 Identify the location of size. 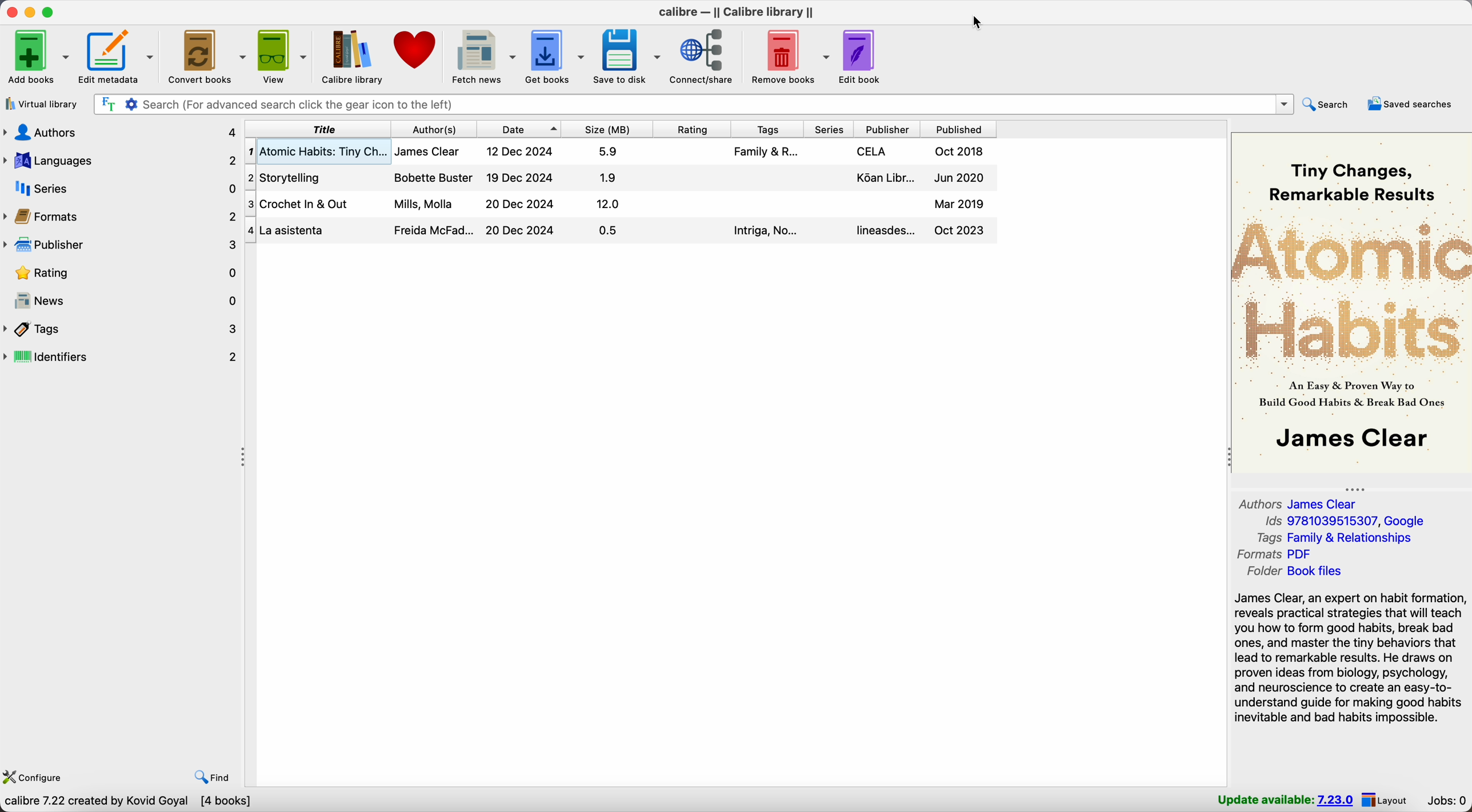
(607, 128).